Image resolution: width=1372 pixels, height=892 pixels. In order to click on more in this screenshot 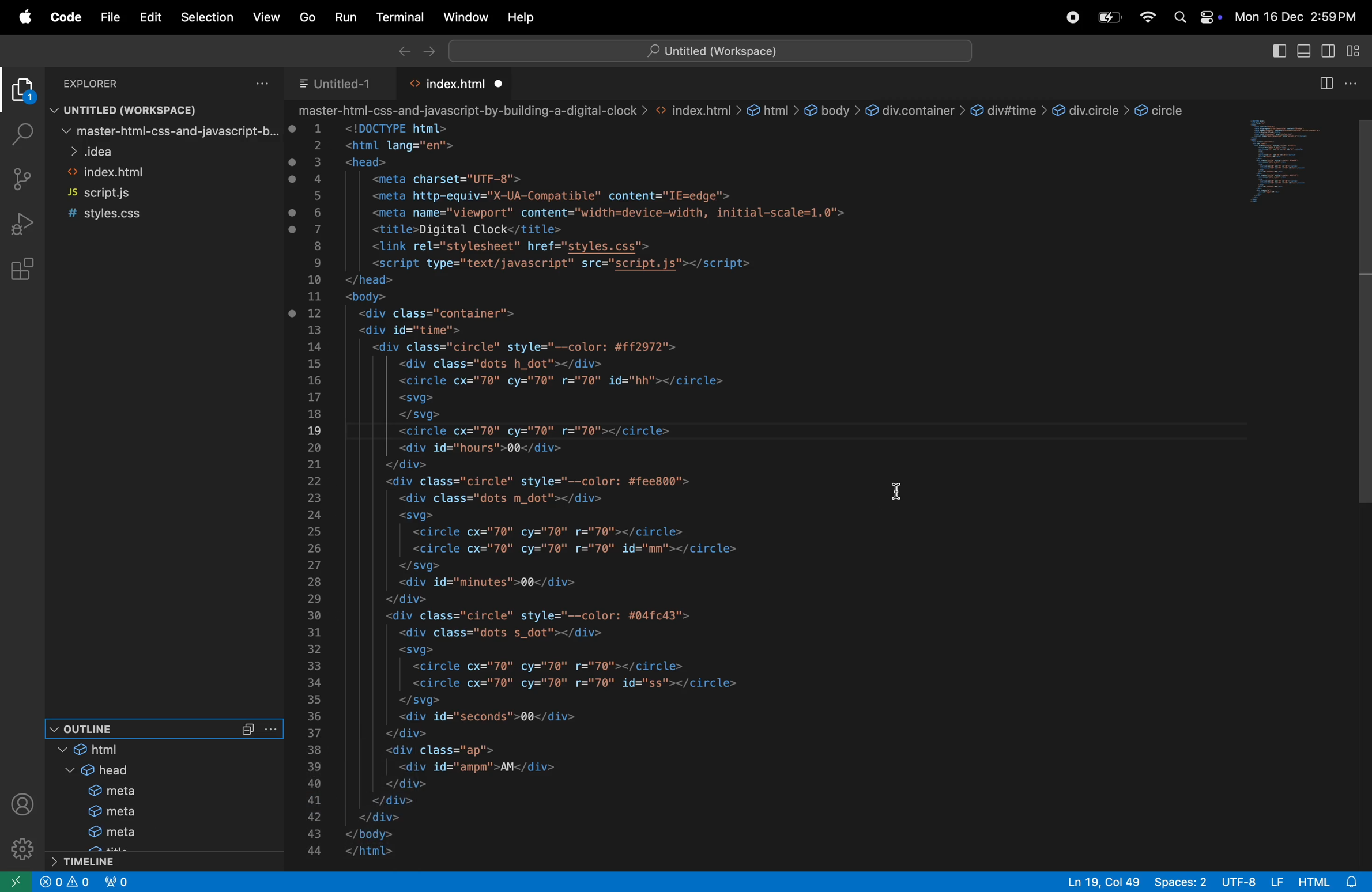, I will do `click(273, 729)`.